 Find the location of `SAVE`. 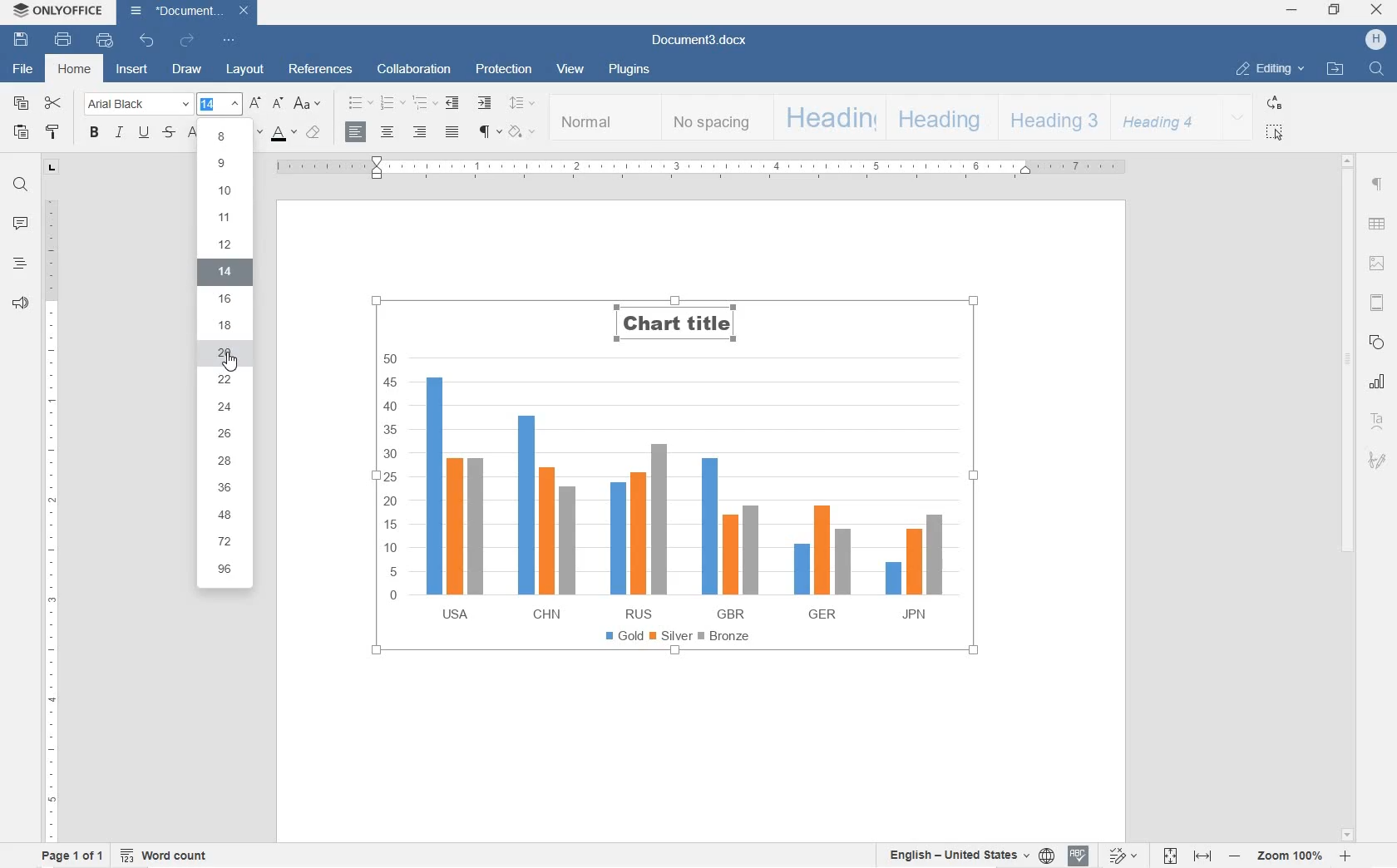

SAVE is located at coordinates (21, 42).